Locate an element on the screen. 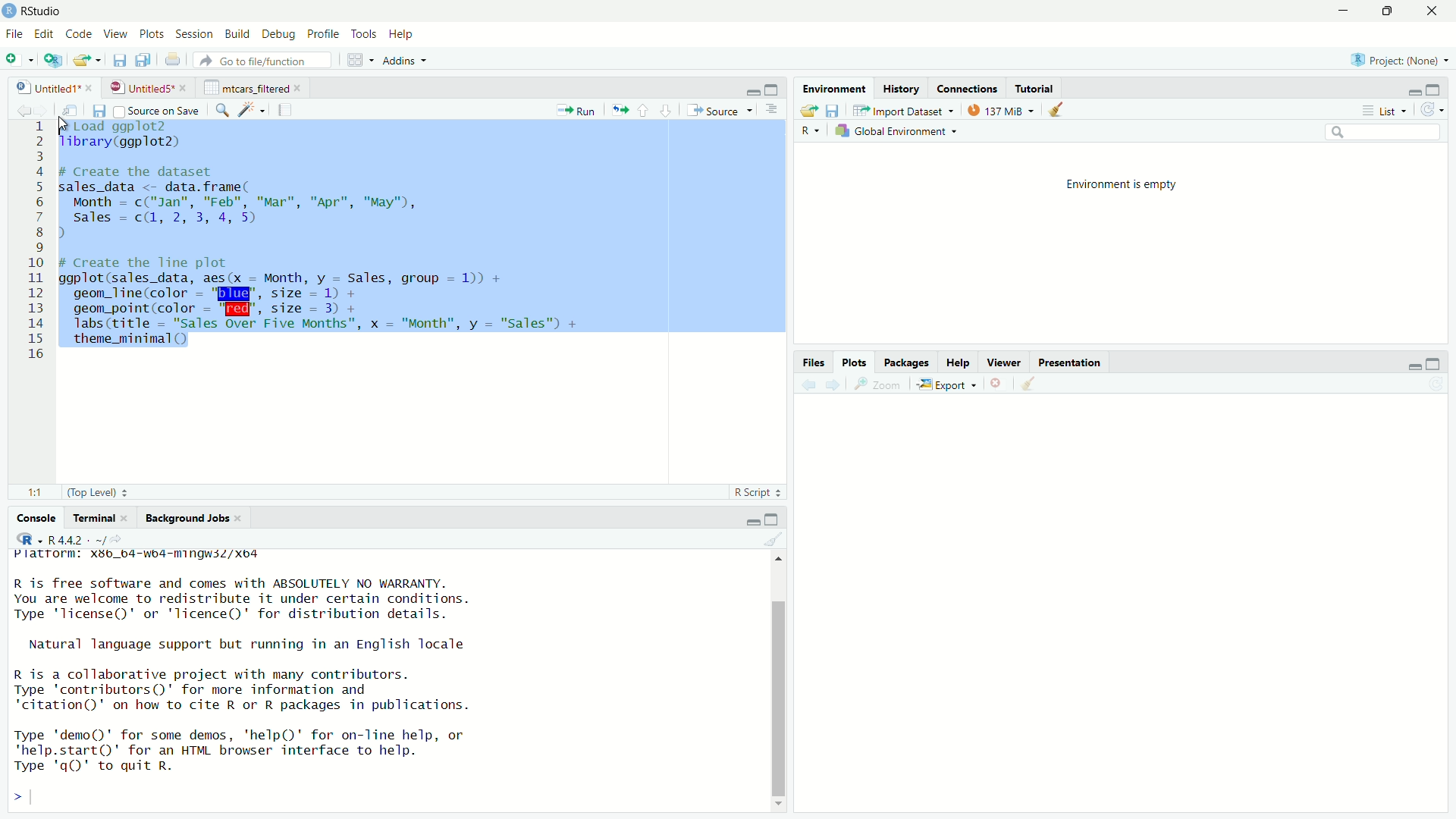  15:18 is located at coordinates (39, 493).